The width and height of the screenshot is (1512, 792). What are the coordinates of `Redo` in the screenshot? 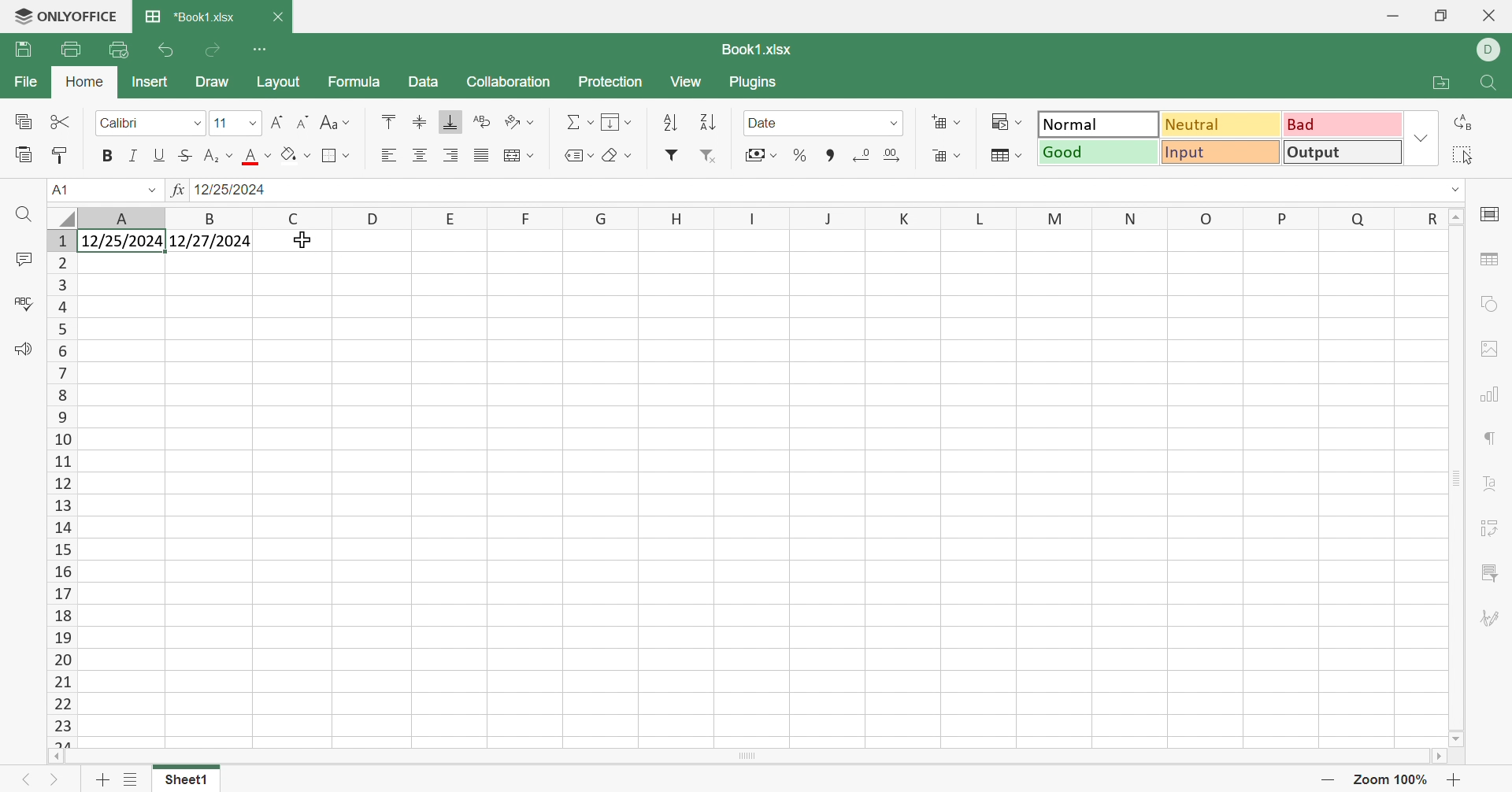 It's located at (214, 50).